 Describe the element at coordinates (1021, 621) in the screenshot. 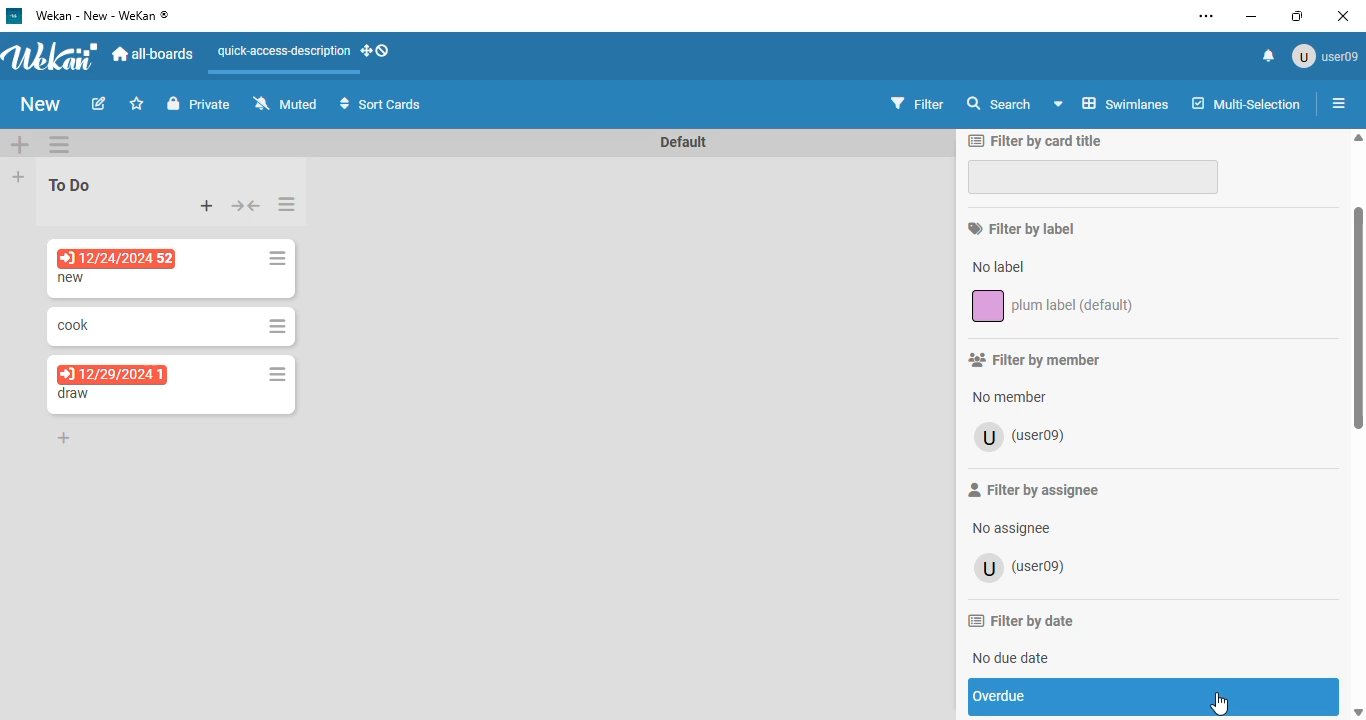

I see `filter by date` at that location.